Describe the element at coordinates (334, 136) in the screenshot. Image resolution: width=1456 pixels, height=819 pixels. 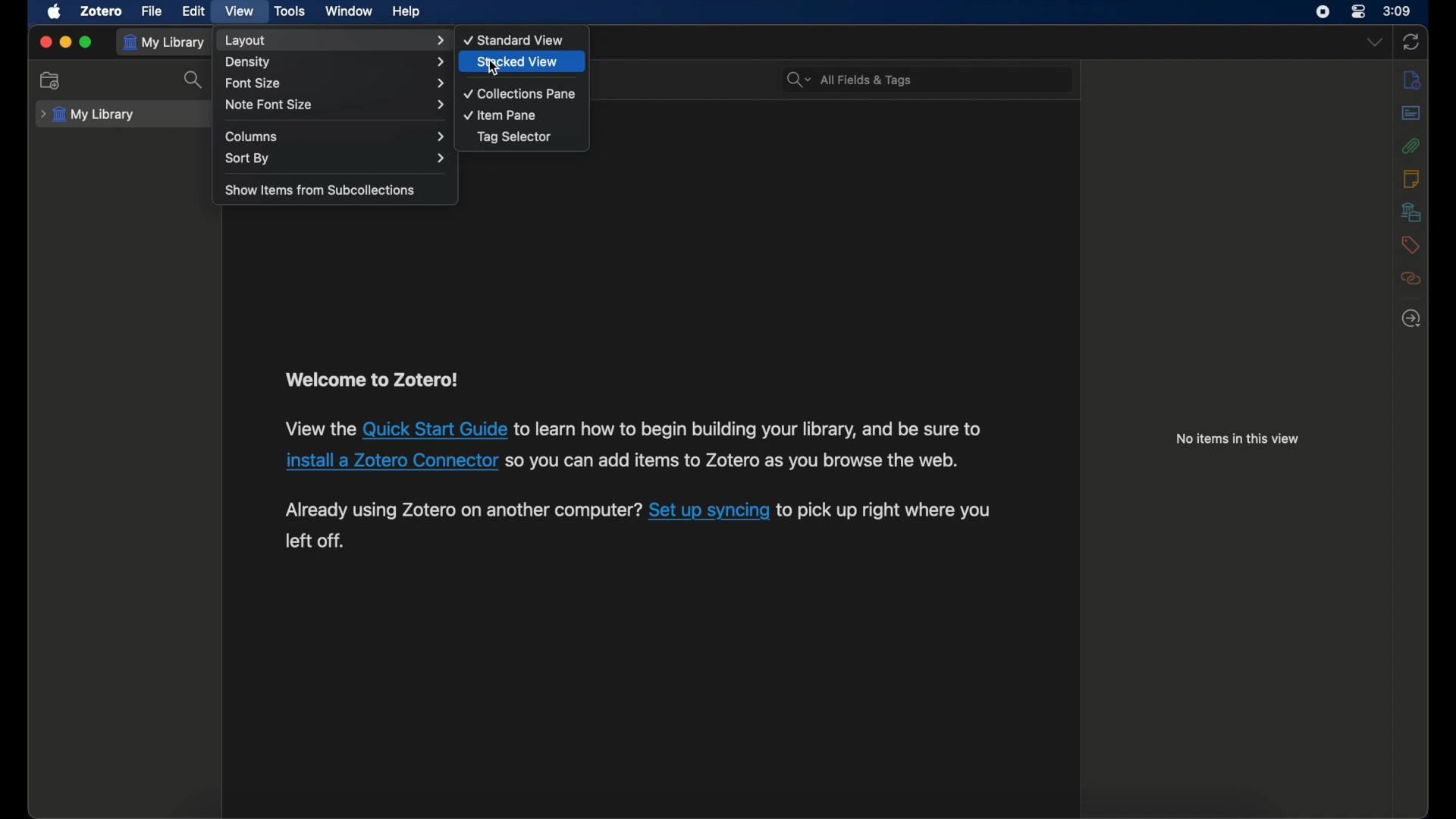
I see `columns` at that location.